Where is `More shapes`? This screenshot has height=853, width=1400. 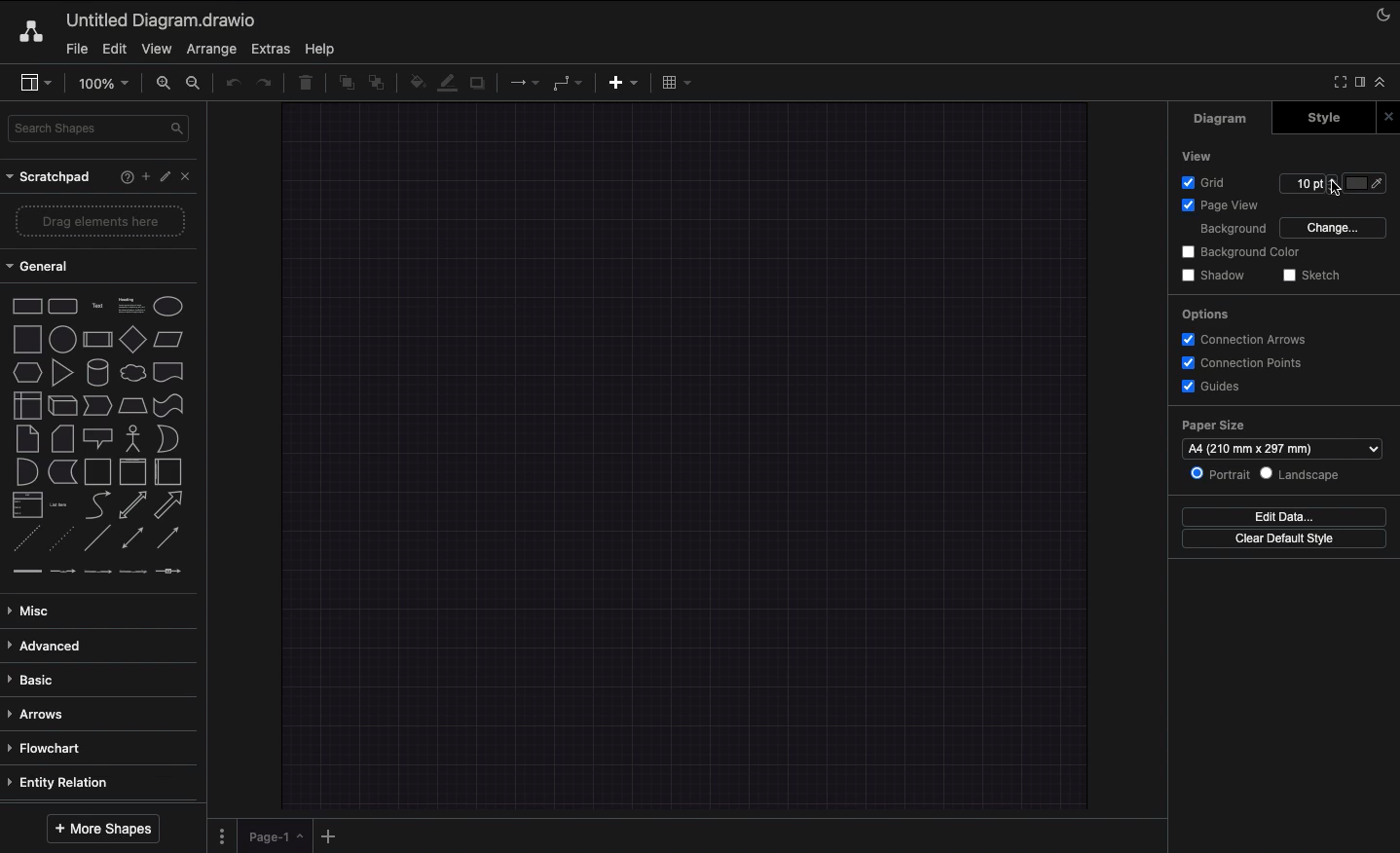 More shapes is located at coordinates (102, 830).